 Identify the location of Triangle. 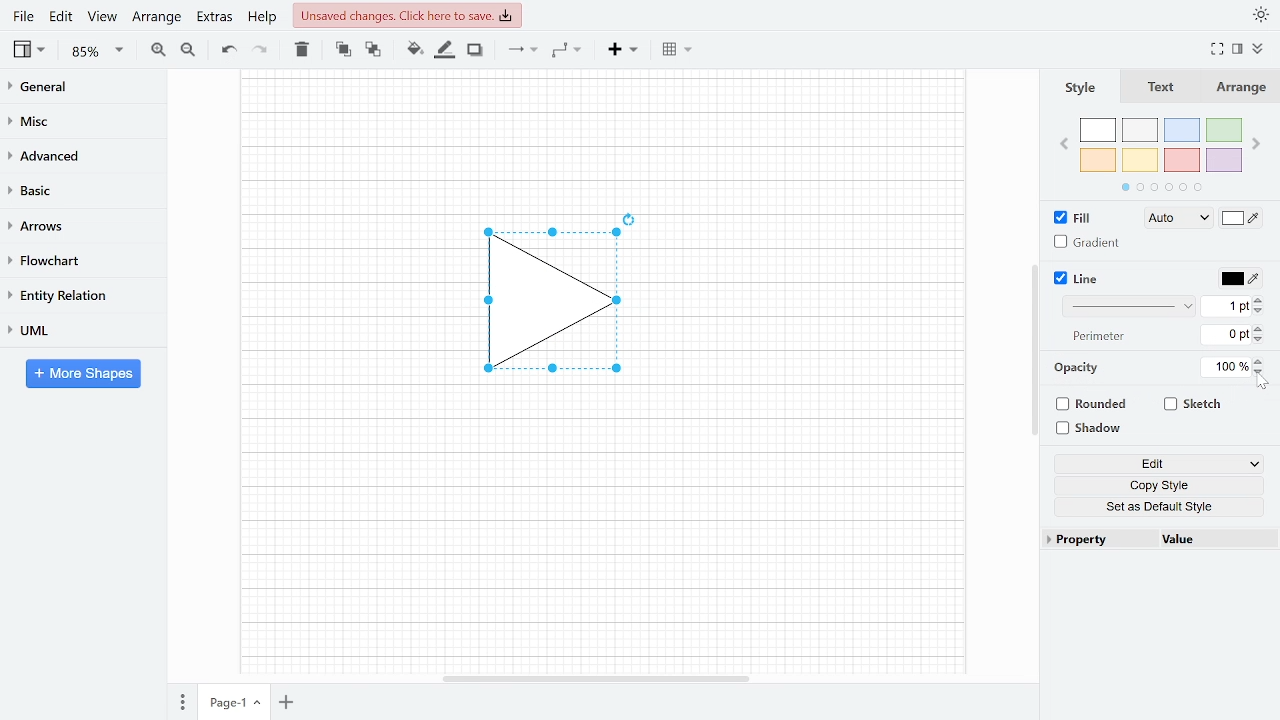
(570, 305).